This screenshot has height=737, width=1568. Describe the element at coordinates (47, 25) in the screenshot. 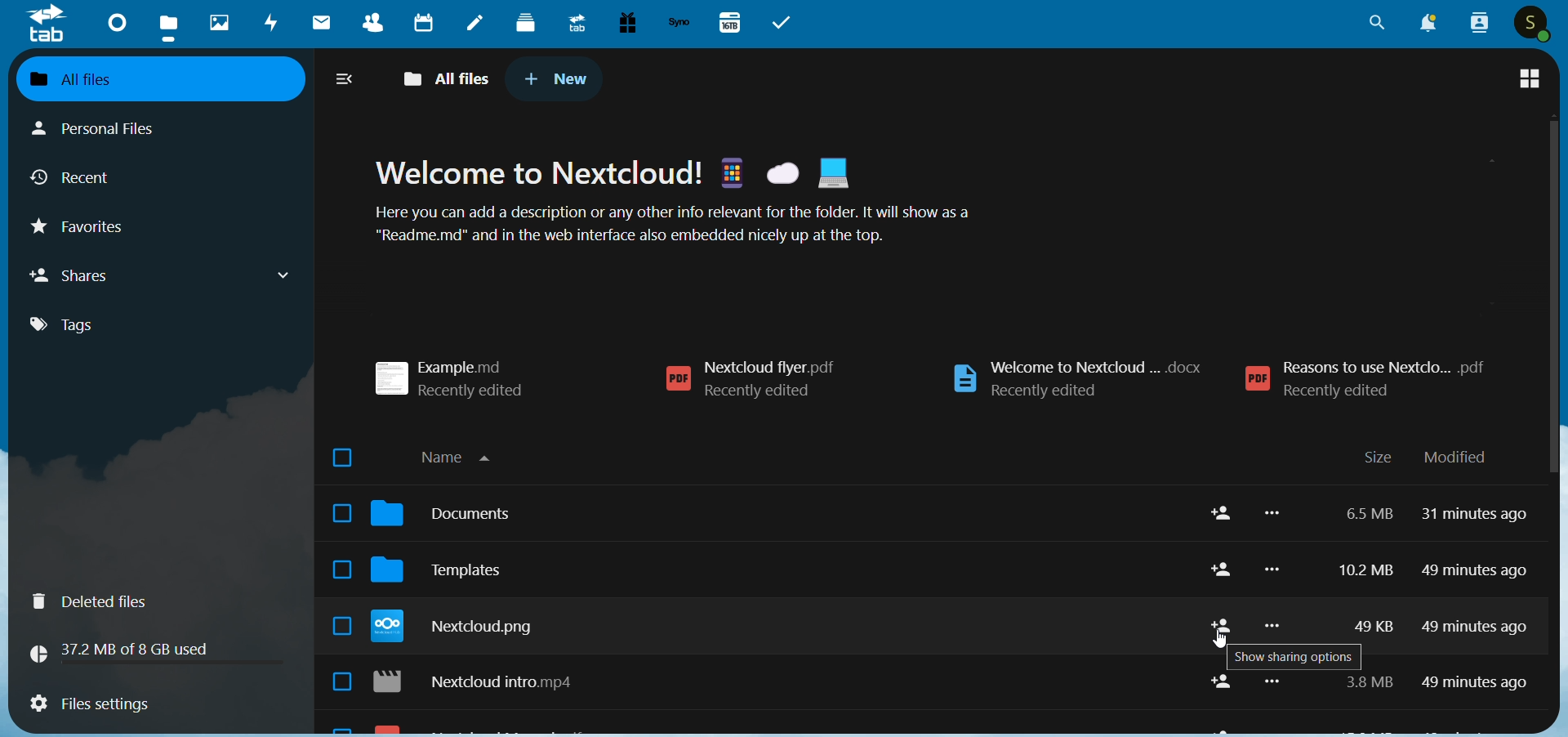

I see `logo` at that location.